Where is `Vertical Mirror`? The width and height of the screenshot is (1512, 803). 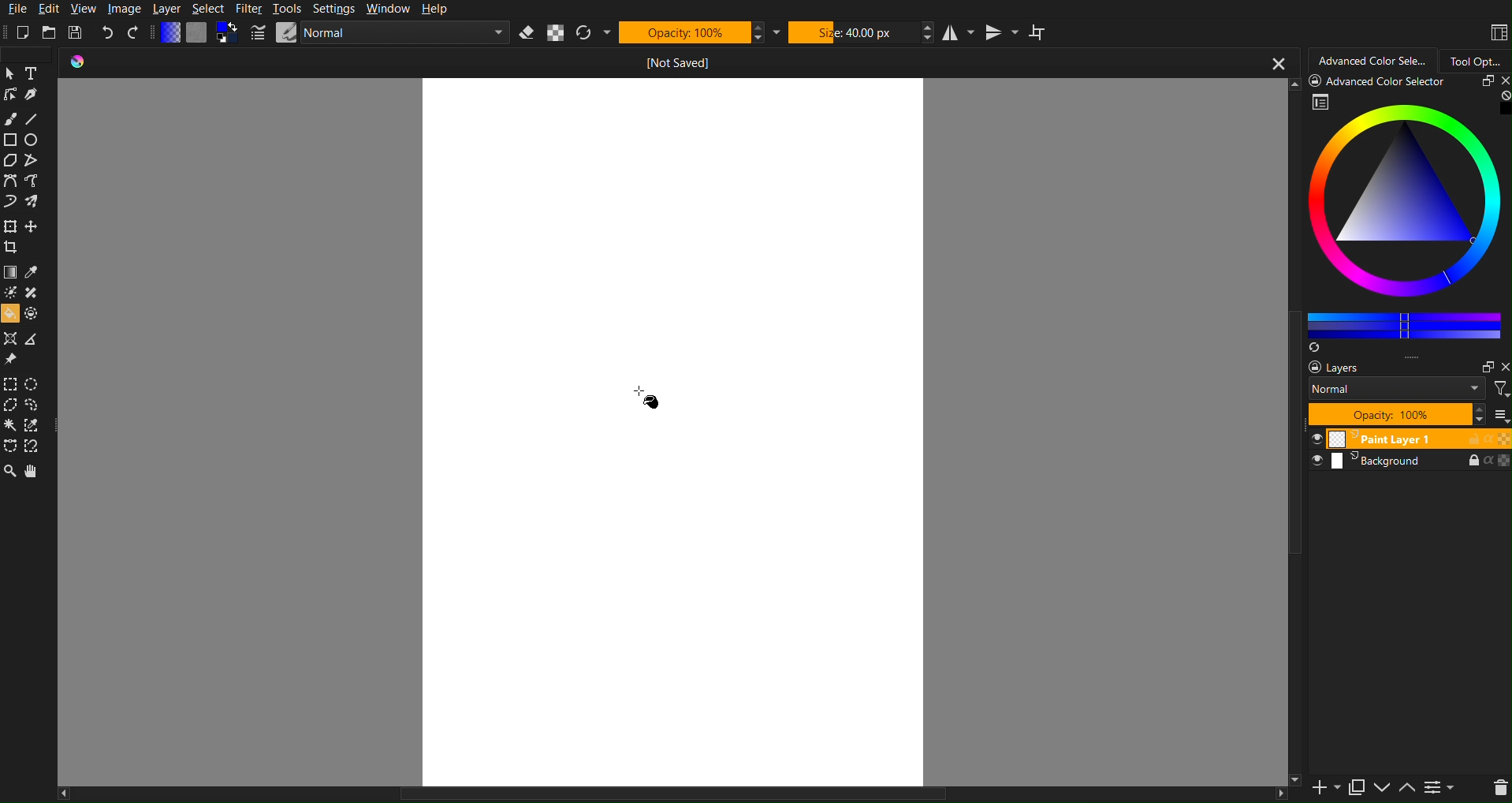
Vertical Mirror is located at coordinates (1002, 32).